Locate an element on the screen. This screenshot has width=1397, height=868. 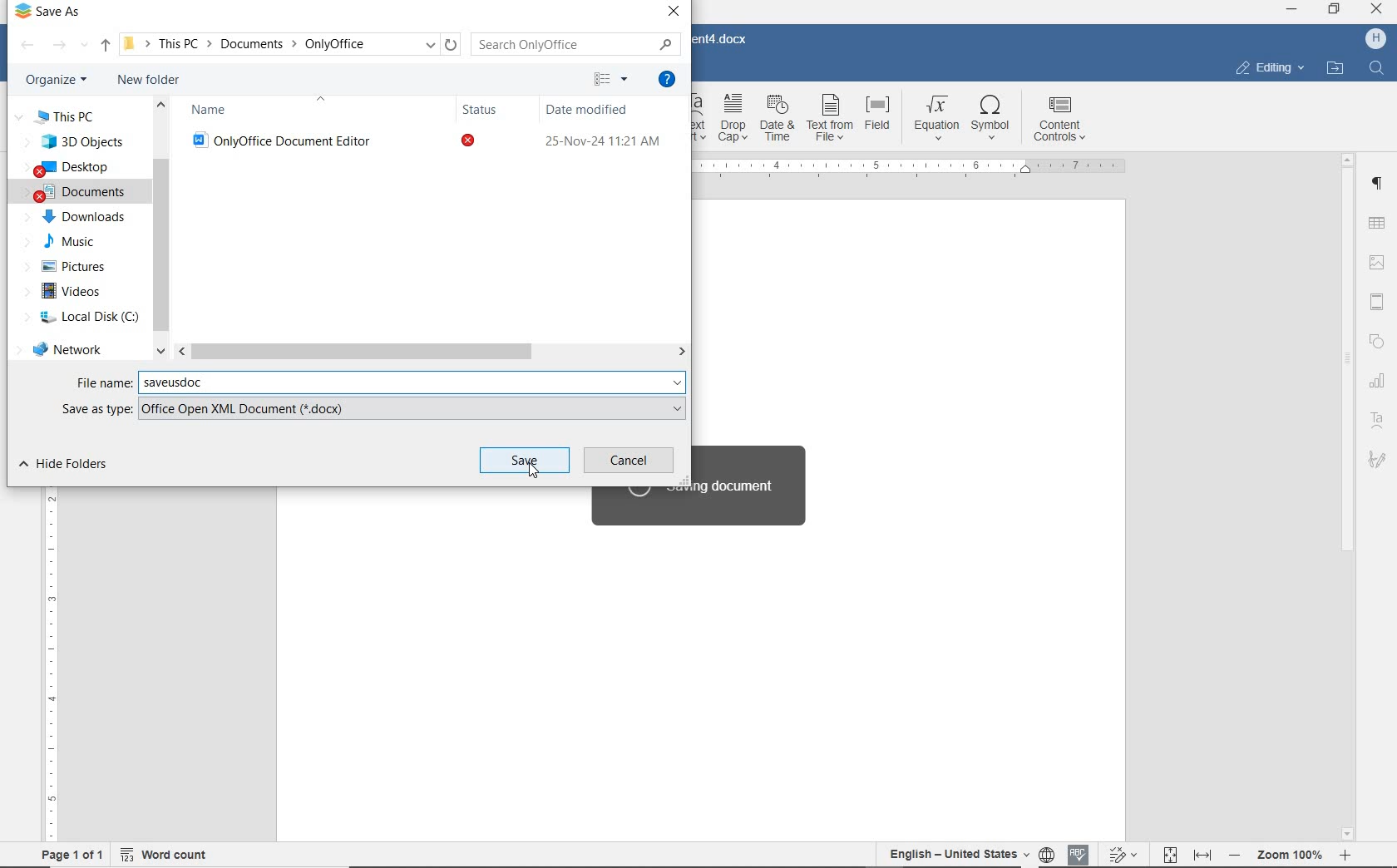
save is located at coordinates (525, 461).